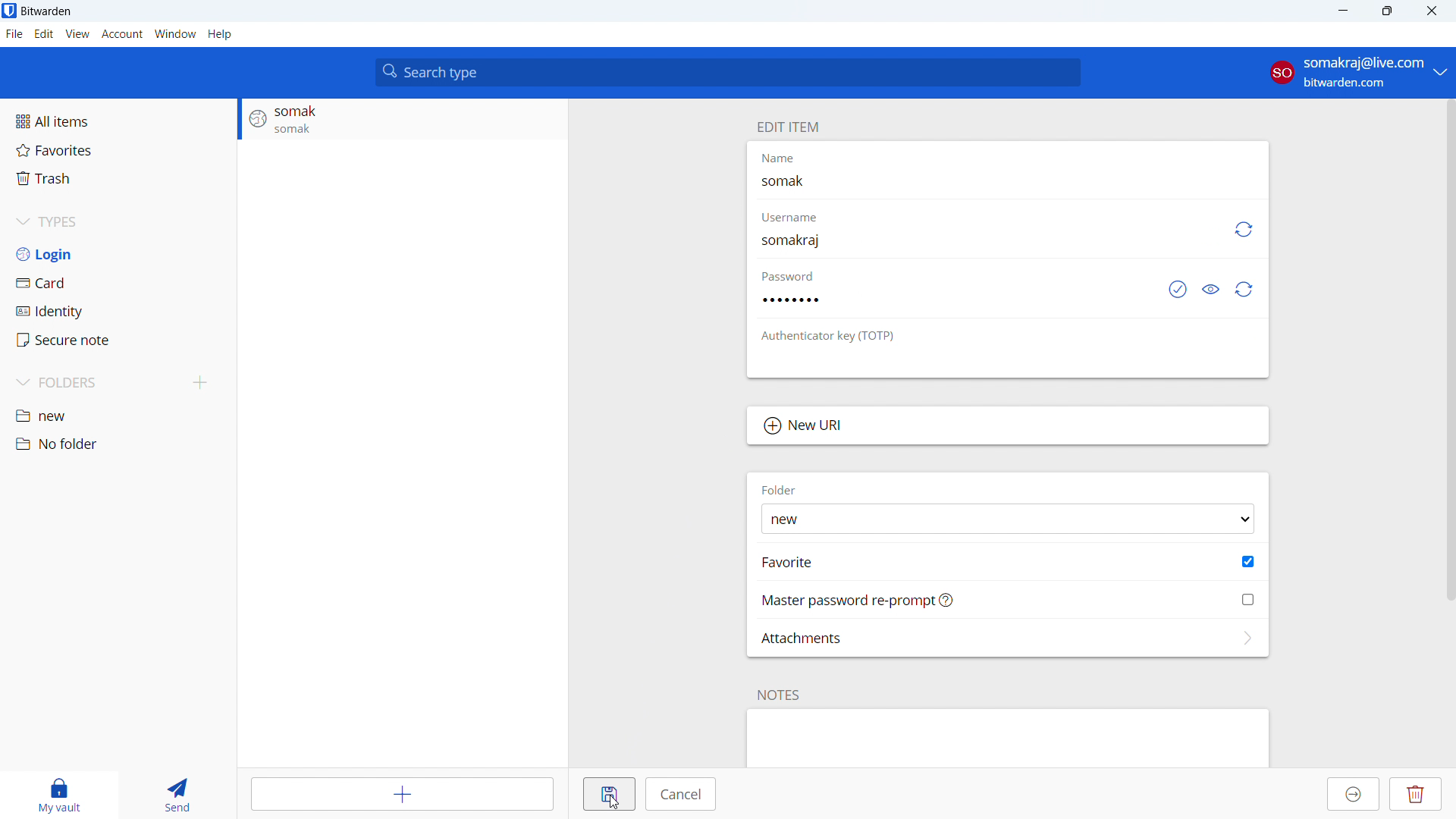 Image resolution: width=1456 pixels, height=819 pixels. Describe the element at coordinates (780, 695) in the screenshot. I see `NOTES` at that location.